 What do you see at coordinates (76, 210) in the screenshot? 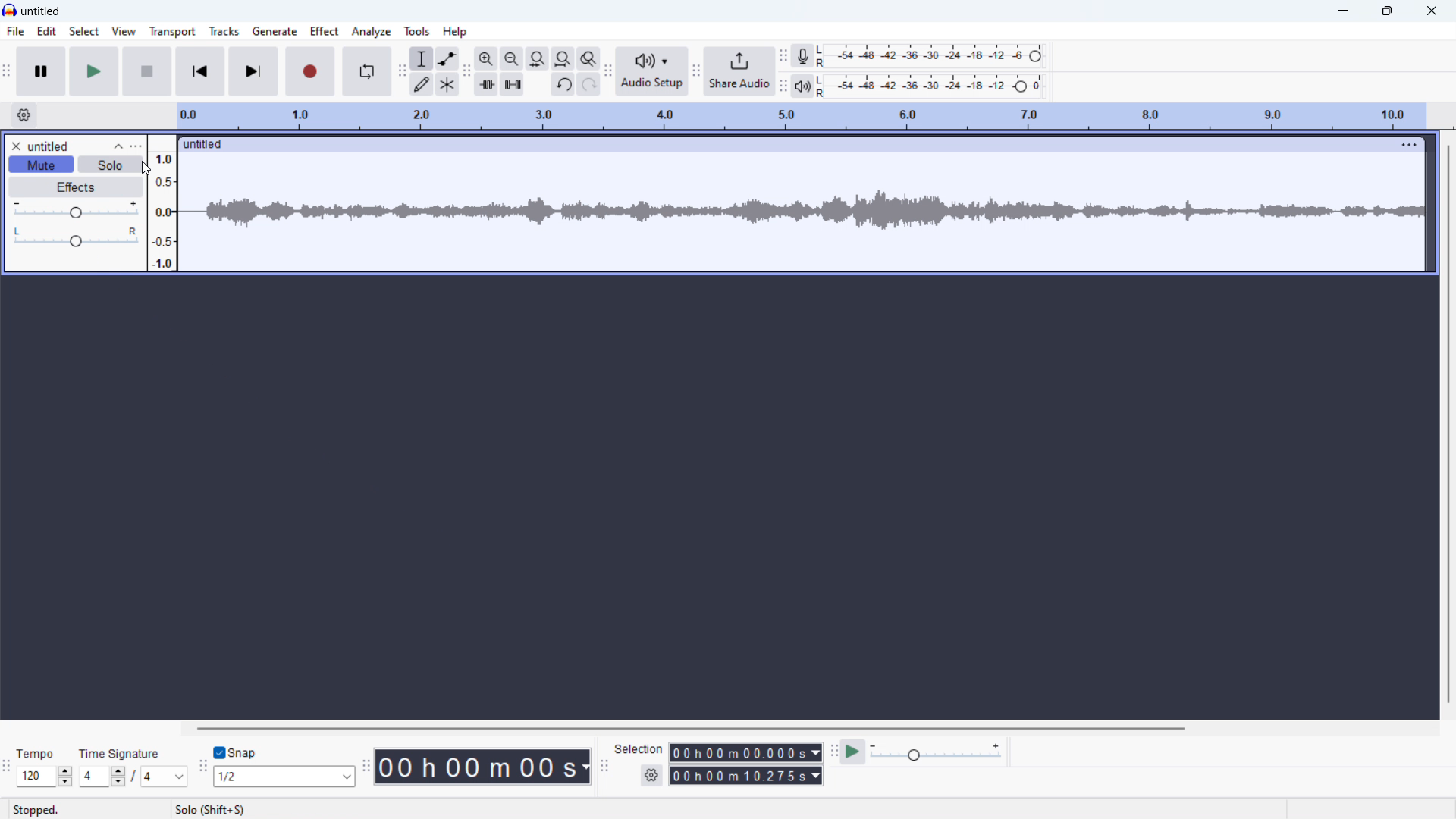
I see `gain` at bounding box center [76, 210].